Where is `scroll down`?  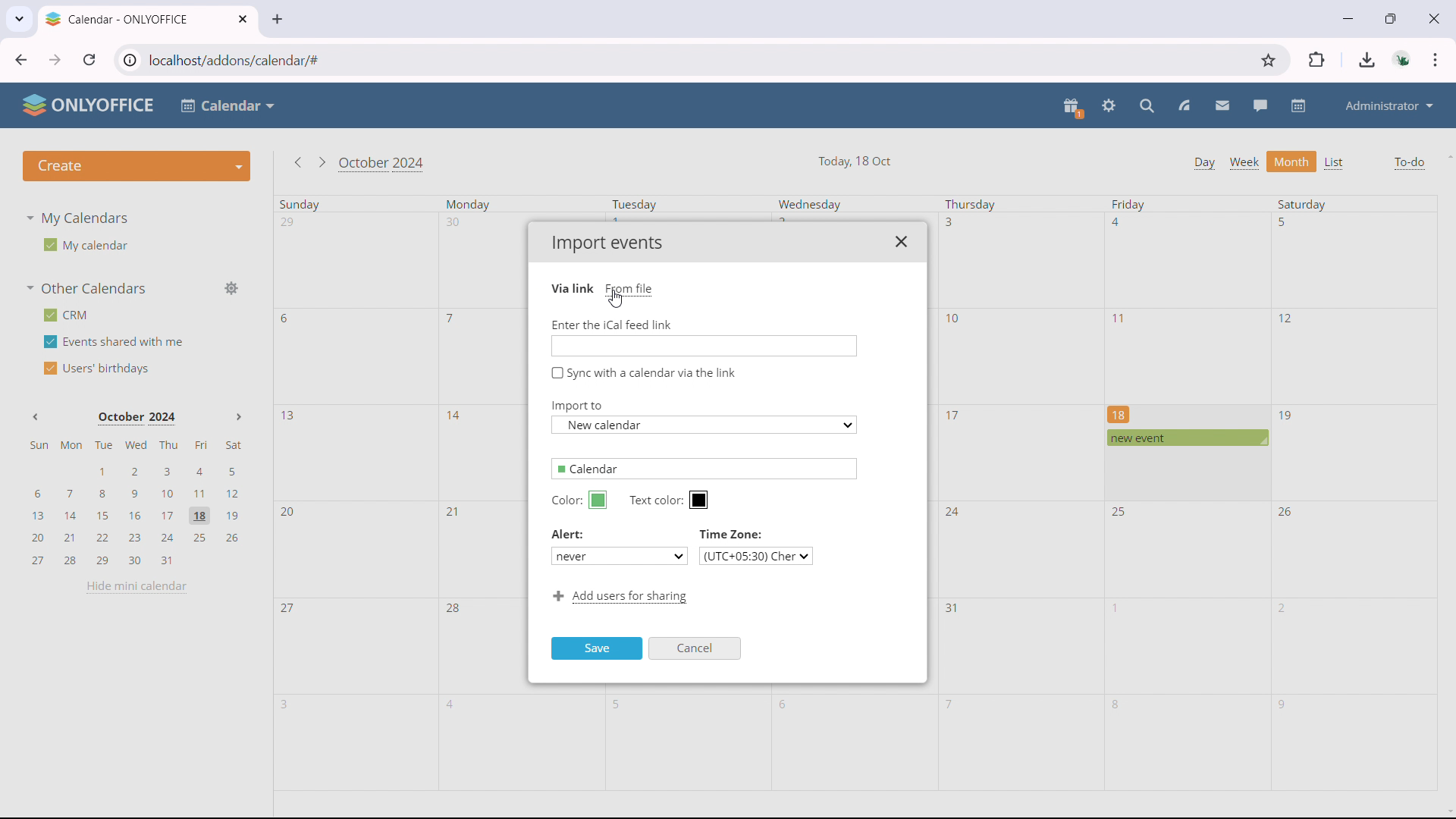 scroll down is located at coordinates (1447, 813).